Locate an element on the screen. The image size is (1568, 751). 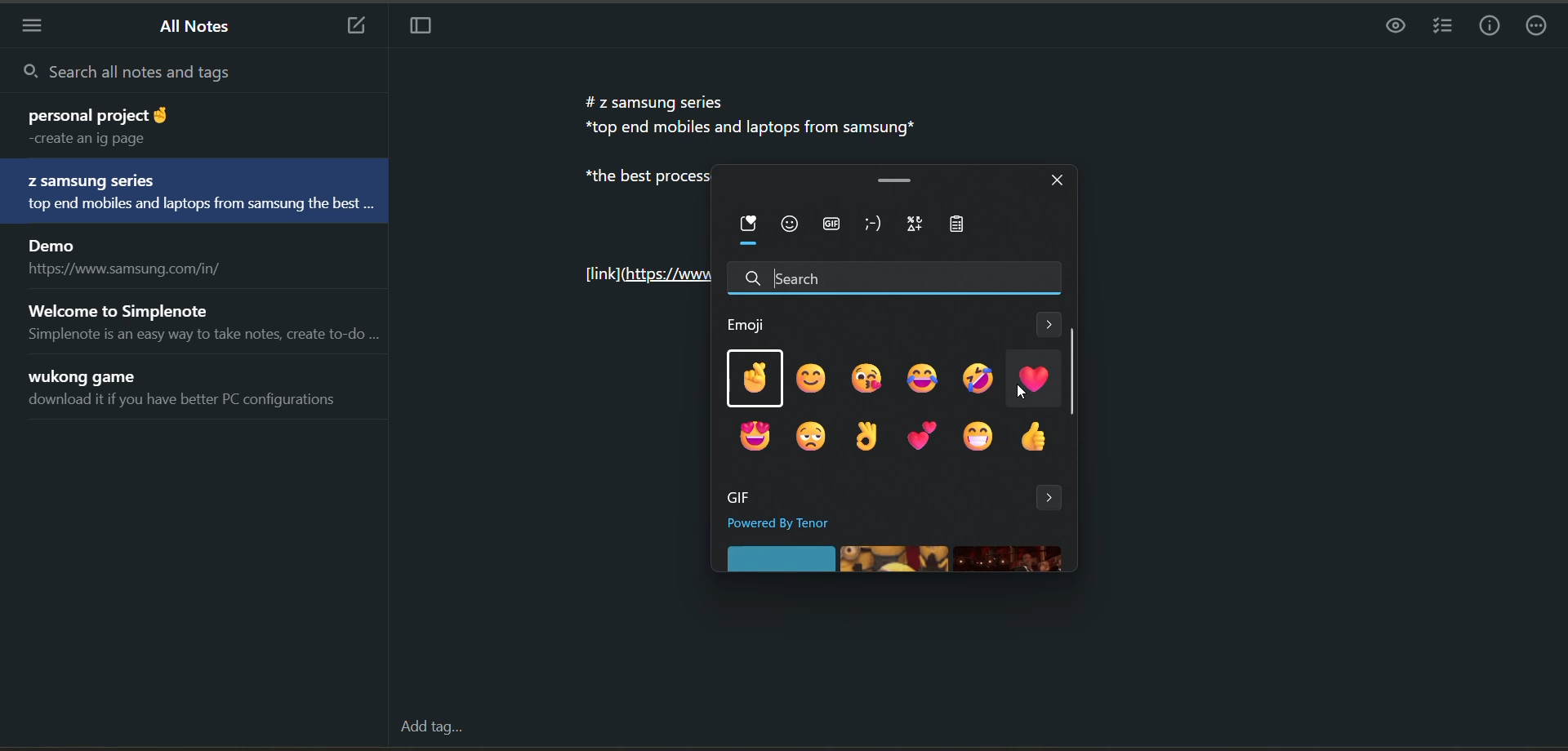
most recently used is located at coordinates (750, 232).